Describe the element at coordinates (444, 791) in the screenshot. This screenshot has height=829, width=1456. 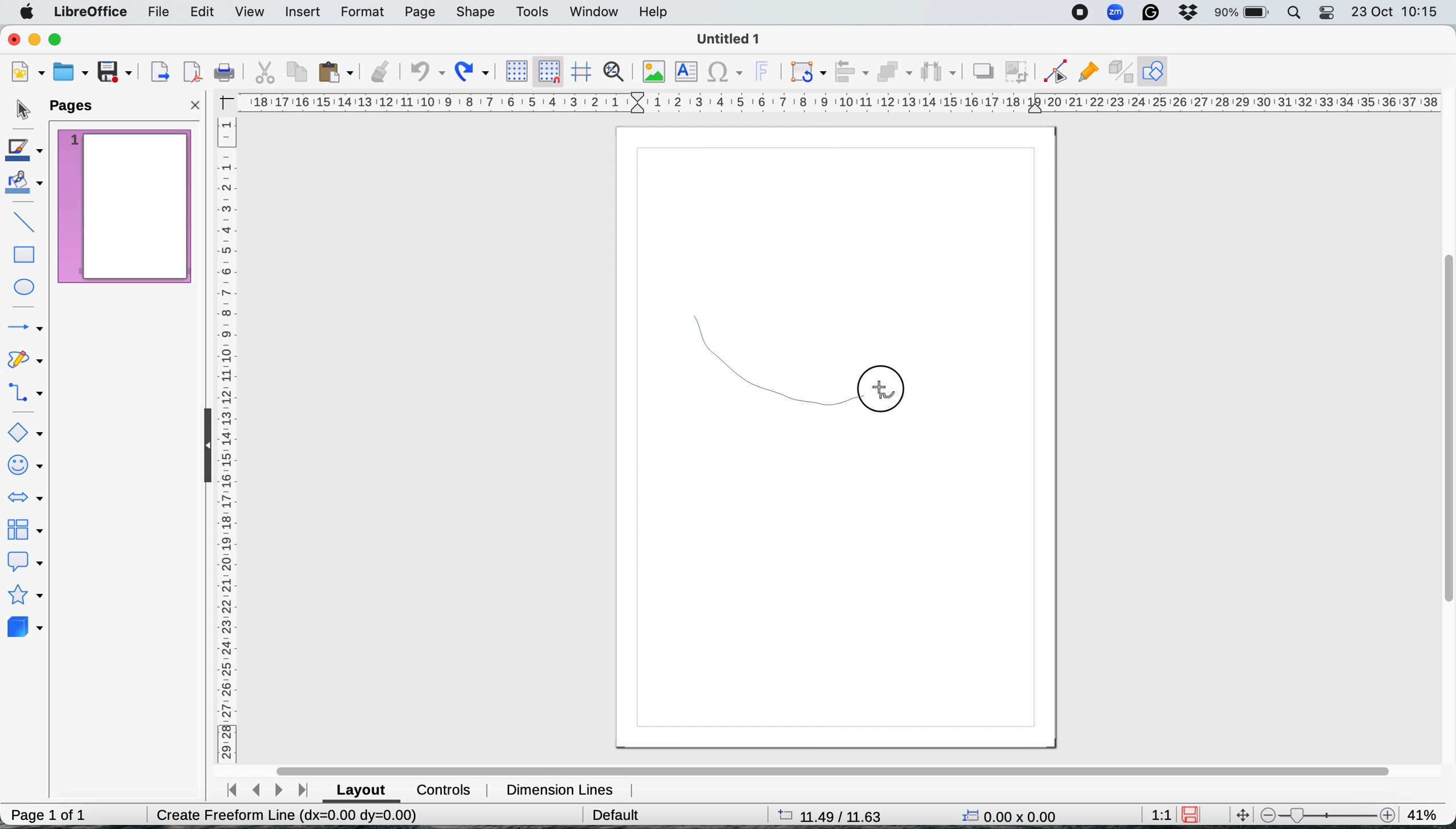
I see `controls` at that location.